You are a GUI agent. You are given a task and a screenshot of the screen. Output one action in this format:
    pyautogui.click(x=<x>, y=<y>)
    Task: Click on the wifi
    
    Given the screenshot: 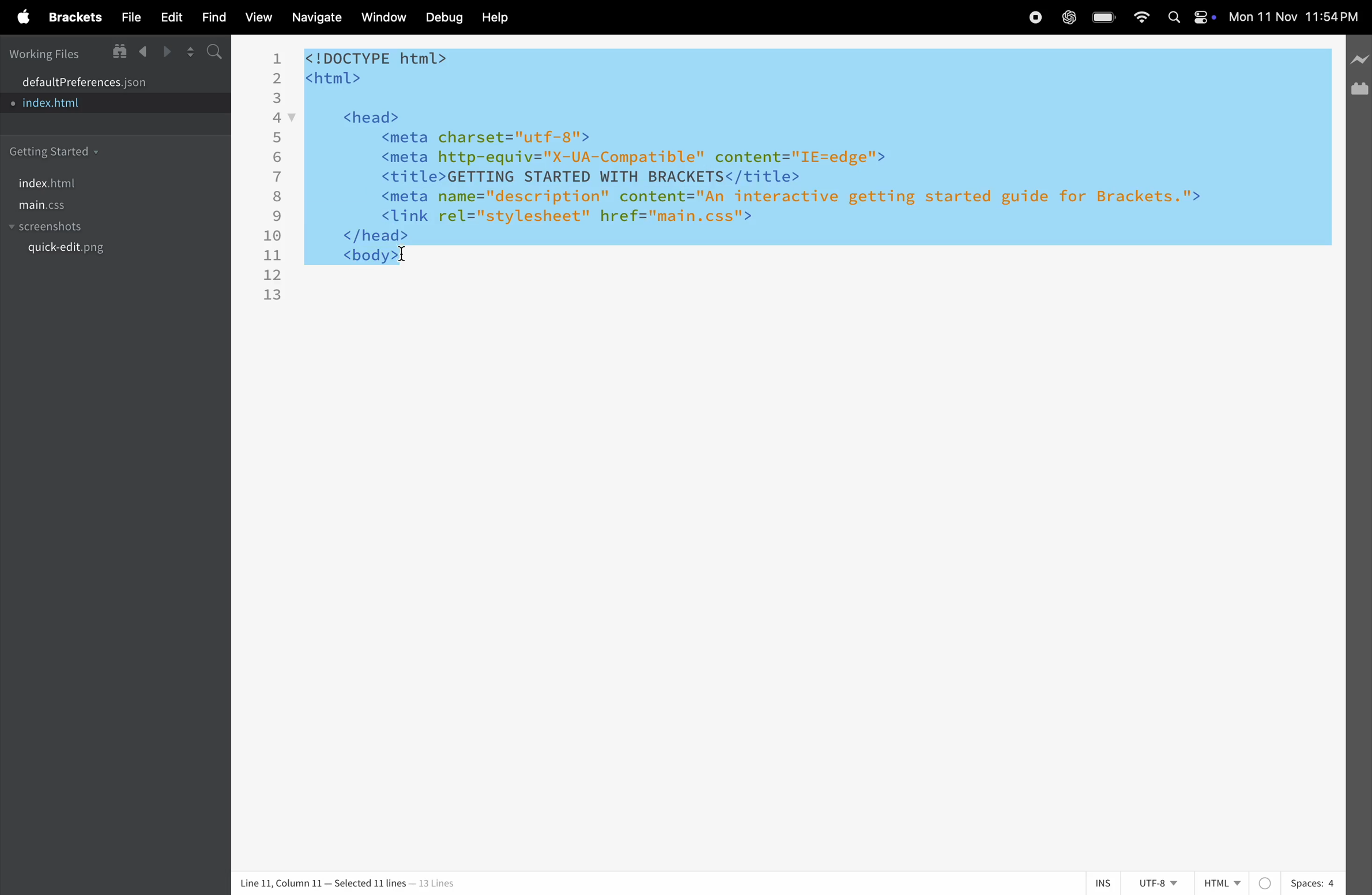 What is the action you would take?
    pyautogui.click(x=1143, y=18)
    